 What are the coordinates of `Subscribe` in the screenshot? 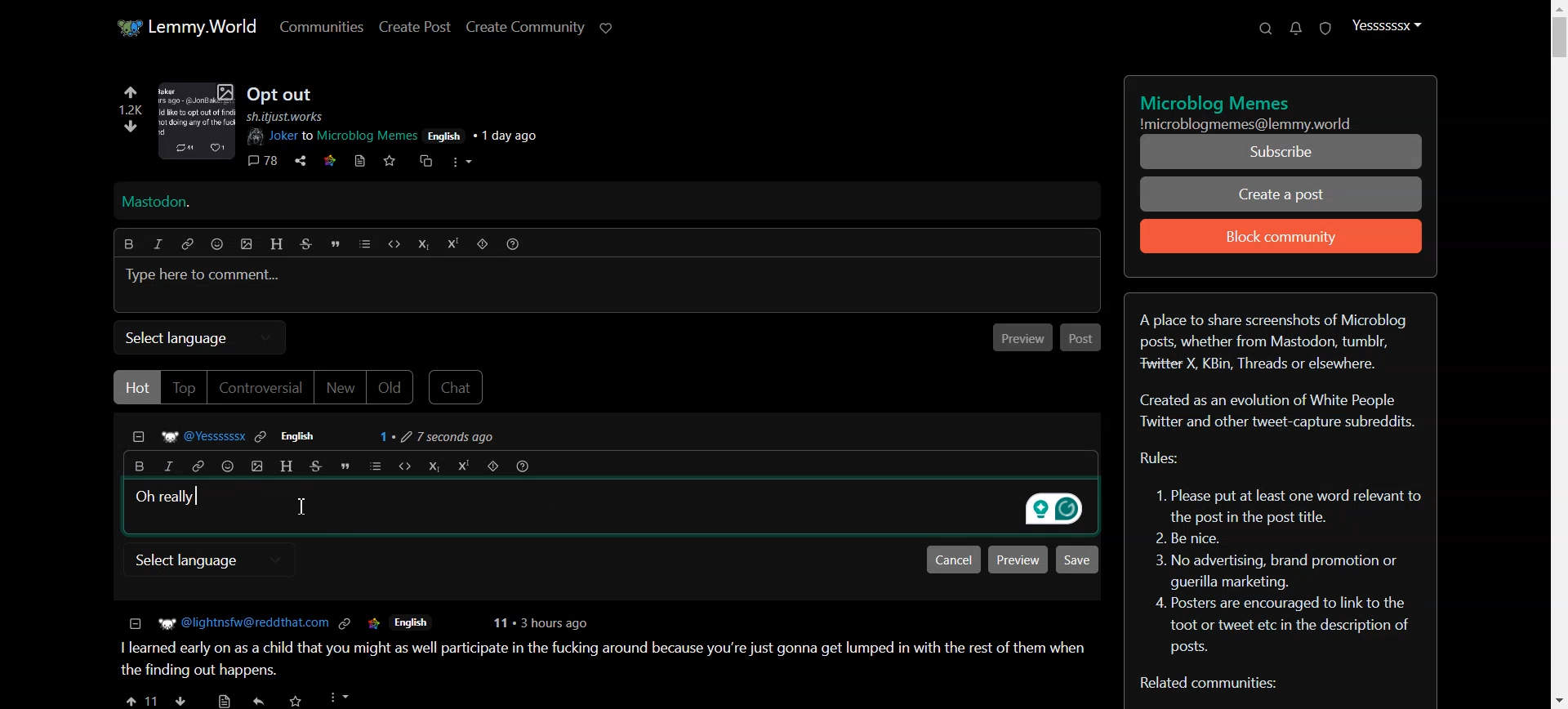 It's located at (1279, 152).